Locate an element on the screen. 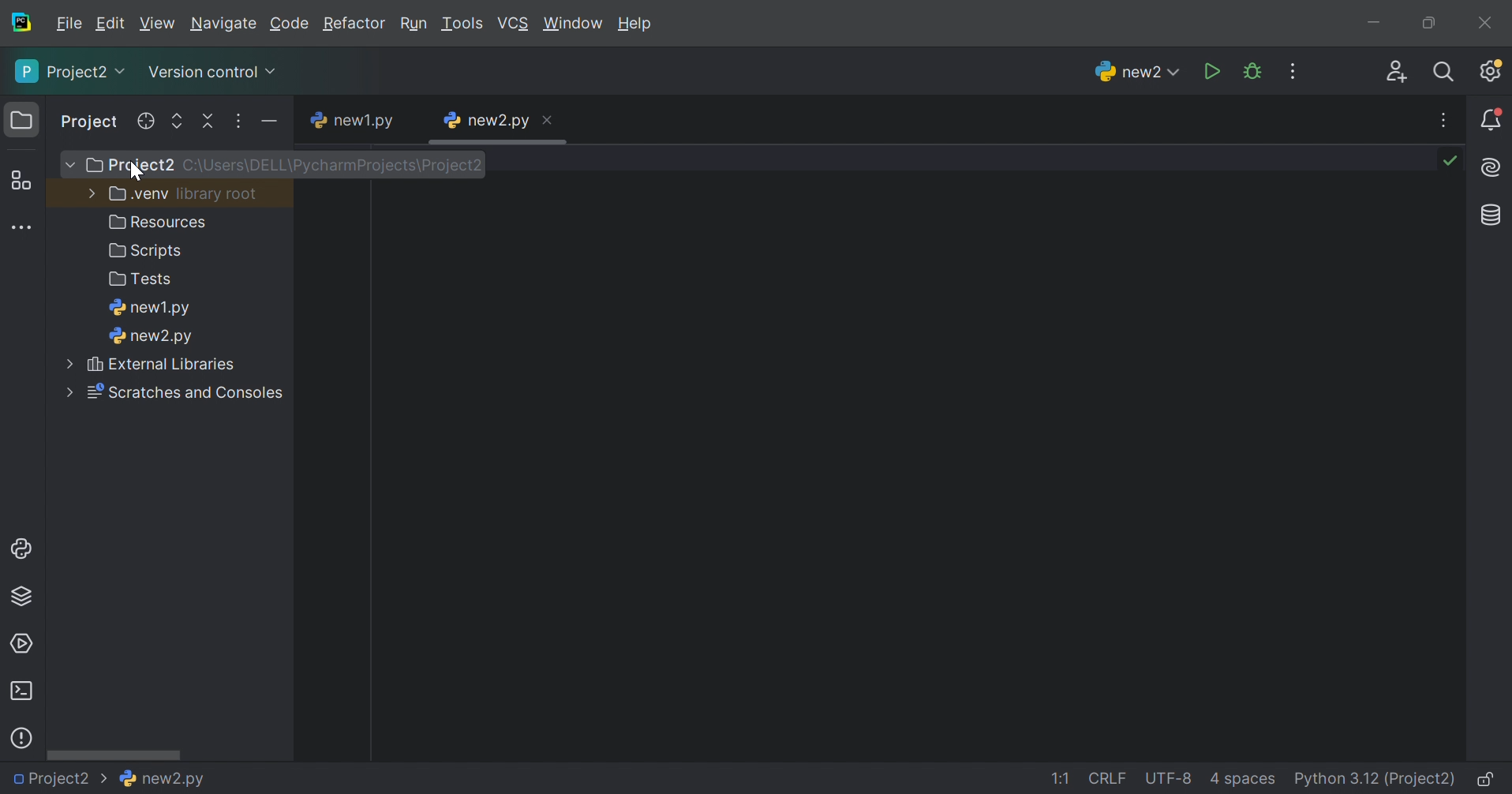 The image size is (1512, 794). Tests is located at coordinates (143, 280).